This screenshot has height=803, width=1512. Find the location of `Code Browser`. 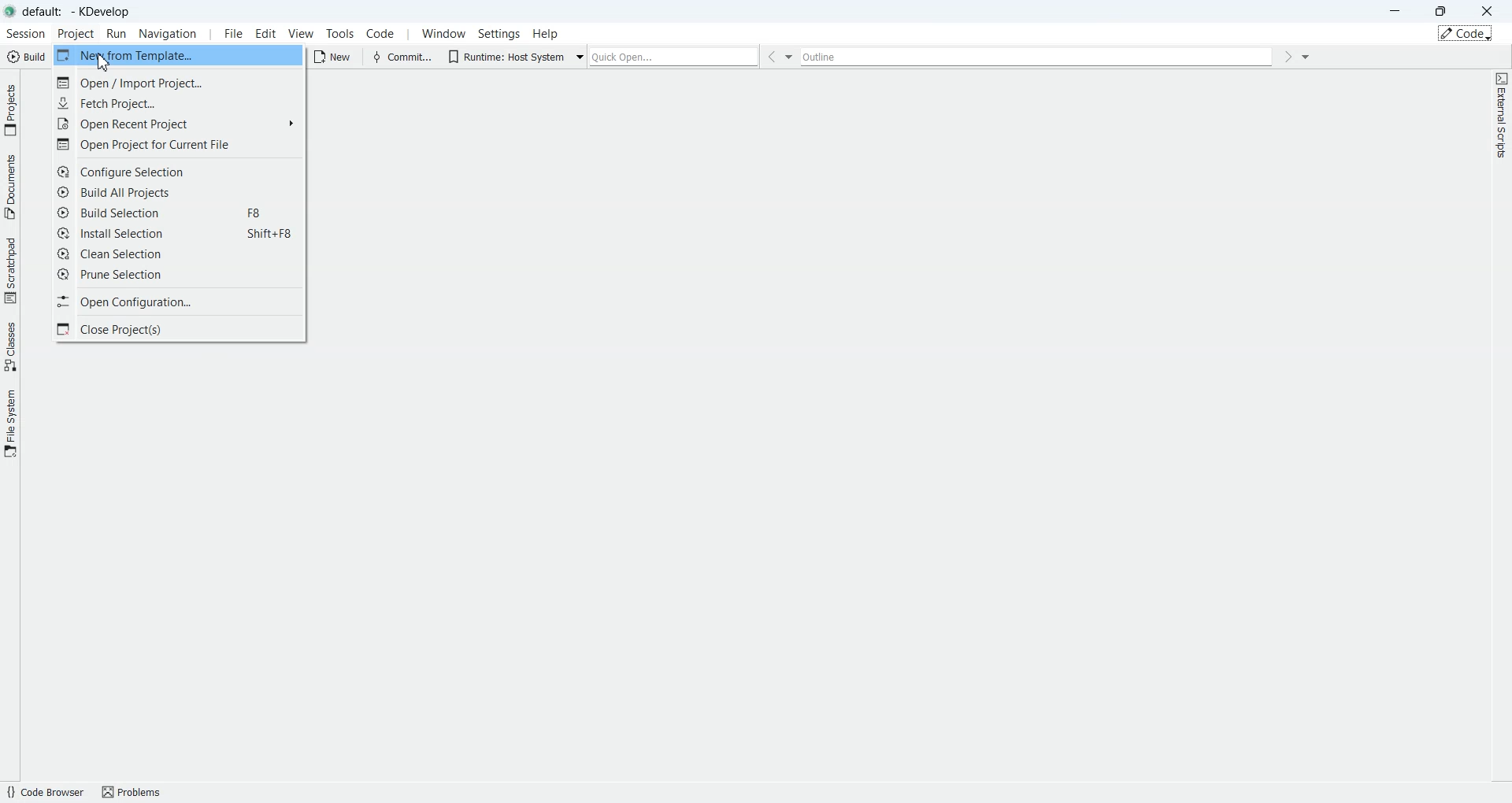

Code Browser is located at coordinates (44, 792).